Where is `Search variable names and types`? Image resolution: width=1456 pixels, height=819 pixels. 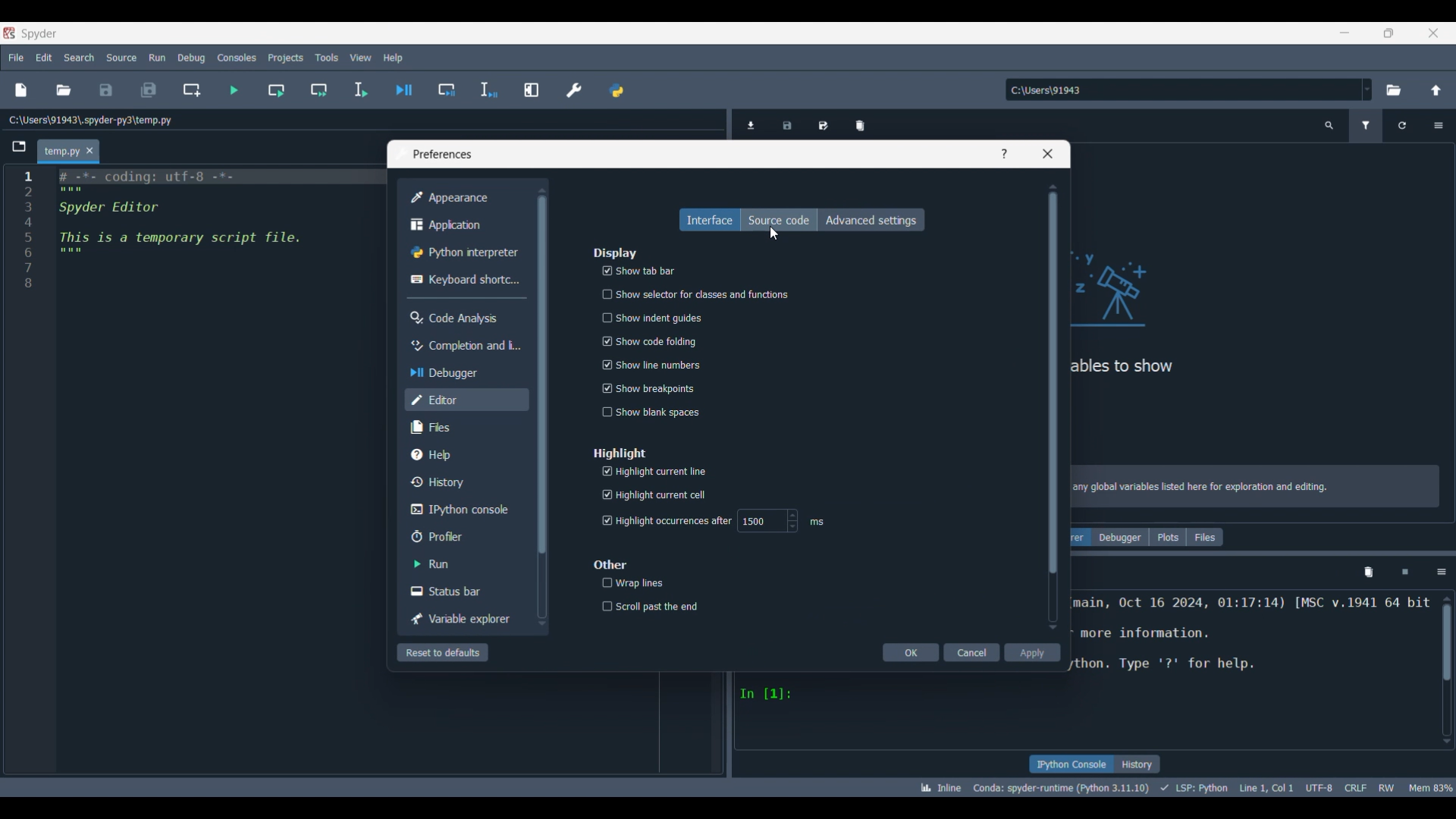
Search variable names and types is located at coordinates (1329, 126).